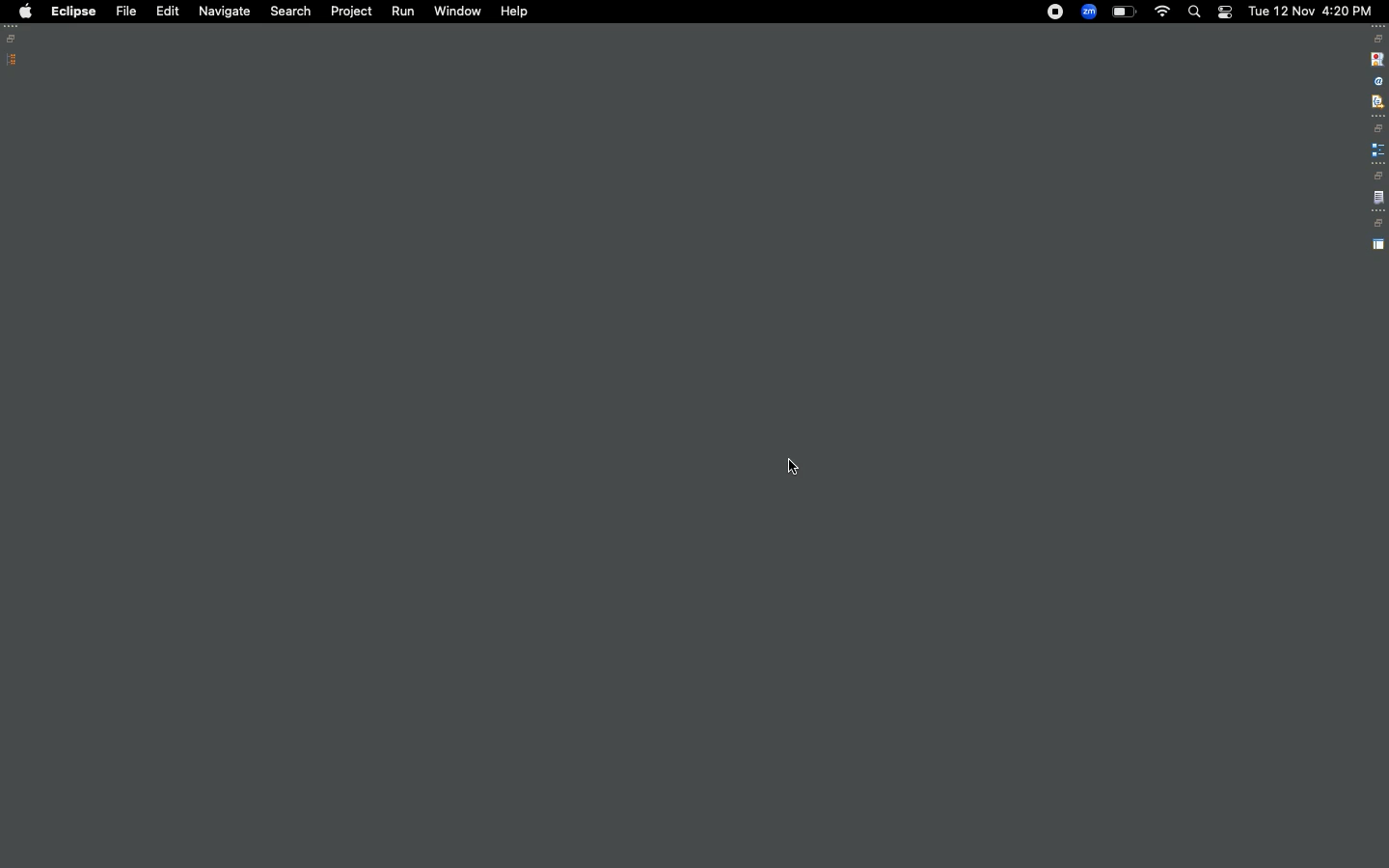 The width and height of the screenshot is (1389, 868). Describe the element at coordinates (1312, 10) in the screenshot. I see `Date/time` at that location.